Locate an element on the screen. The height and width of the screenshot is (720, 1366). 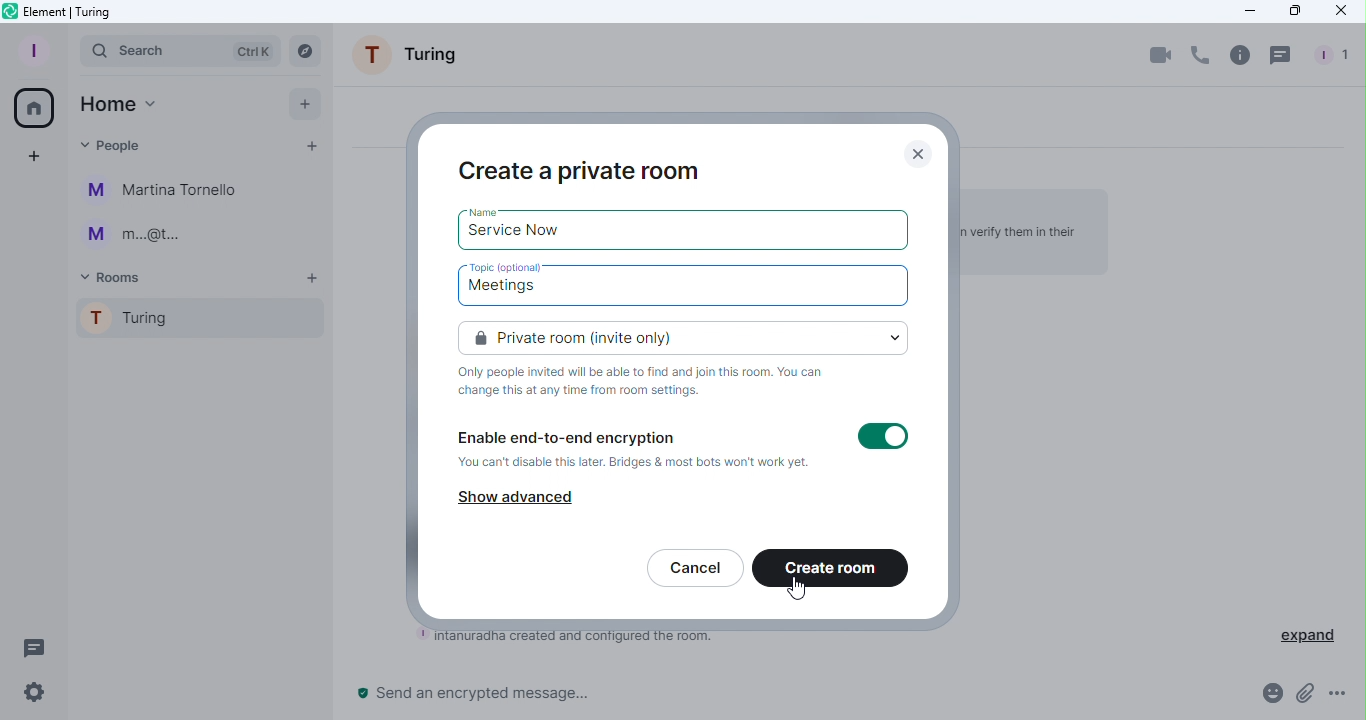
Add is located at coordinates (299, 103).